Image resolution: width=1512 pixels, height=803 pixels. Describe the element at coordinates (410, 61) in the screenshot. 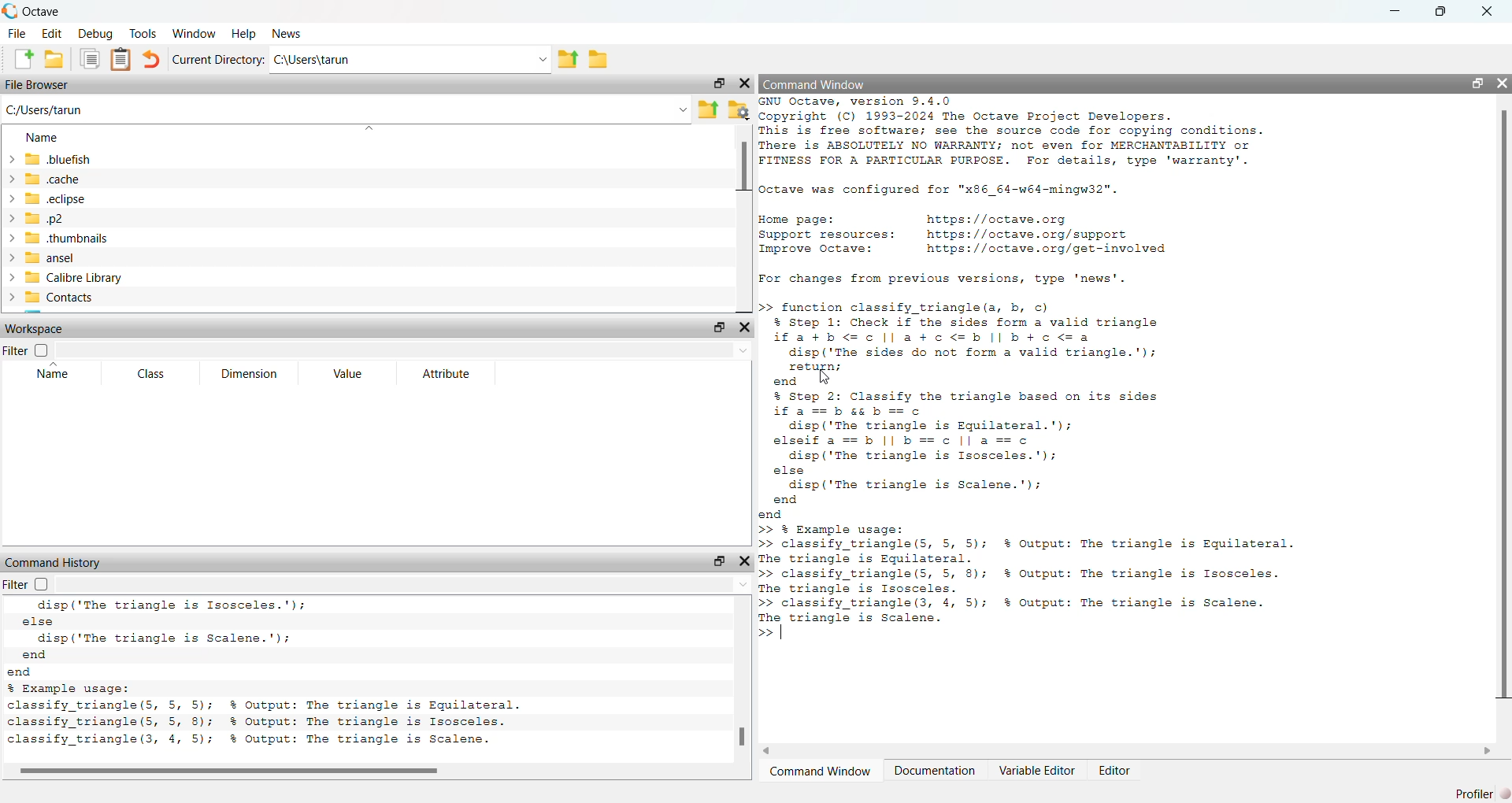

I see `enter directory name` at that location.